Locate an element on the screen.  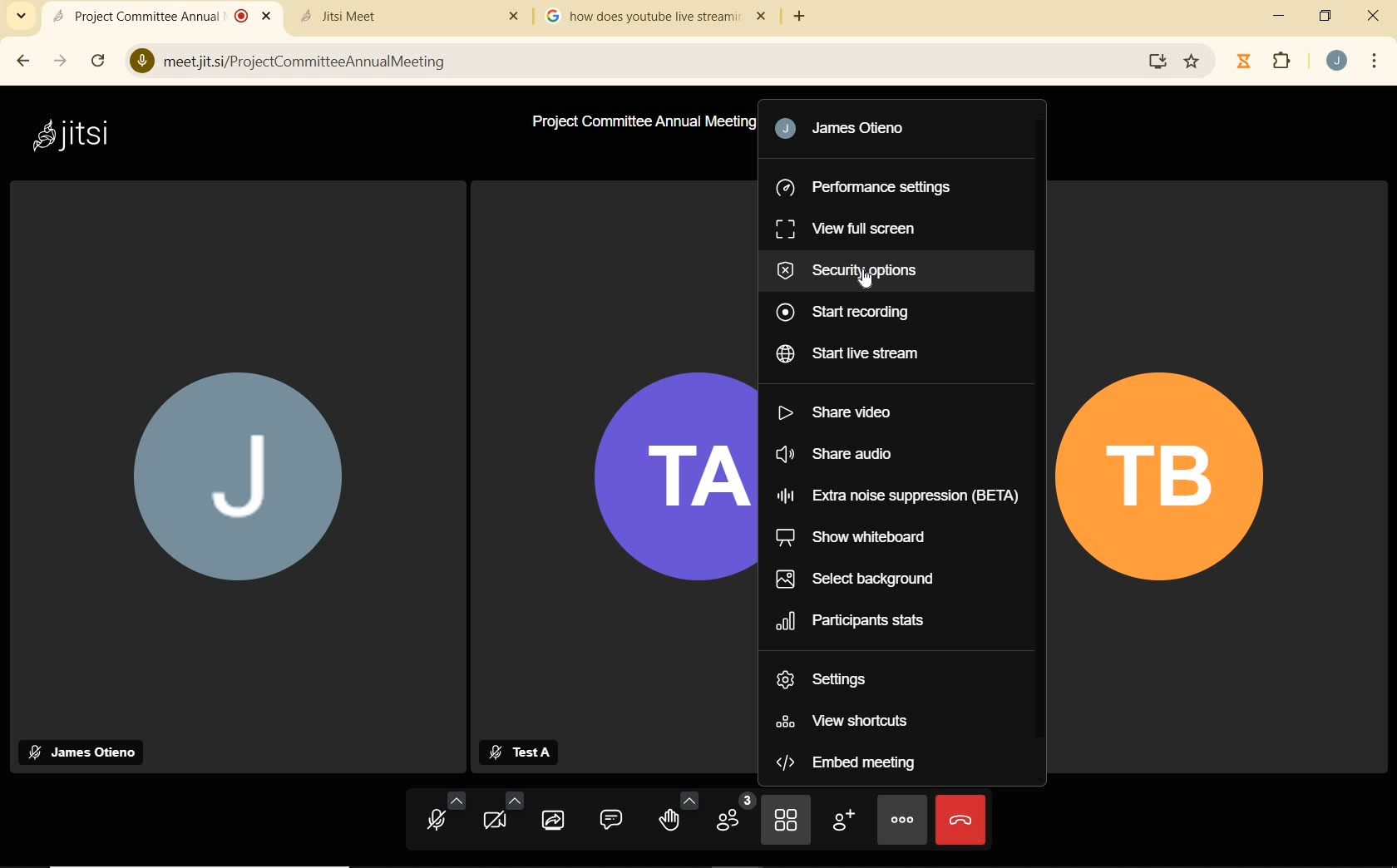
MINIMIZE is located at coordinates (1281, 18).